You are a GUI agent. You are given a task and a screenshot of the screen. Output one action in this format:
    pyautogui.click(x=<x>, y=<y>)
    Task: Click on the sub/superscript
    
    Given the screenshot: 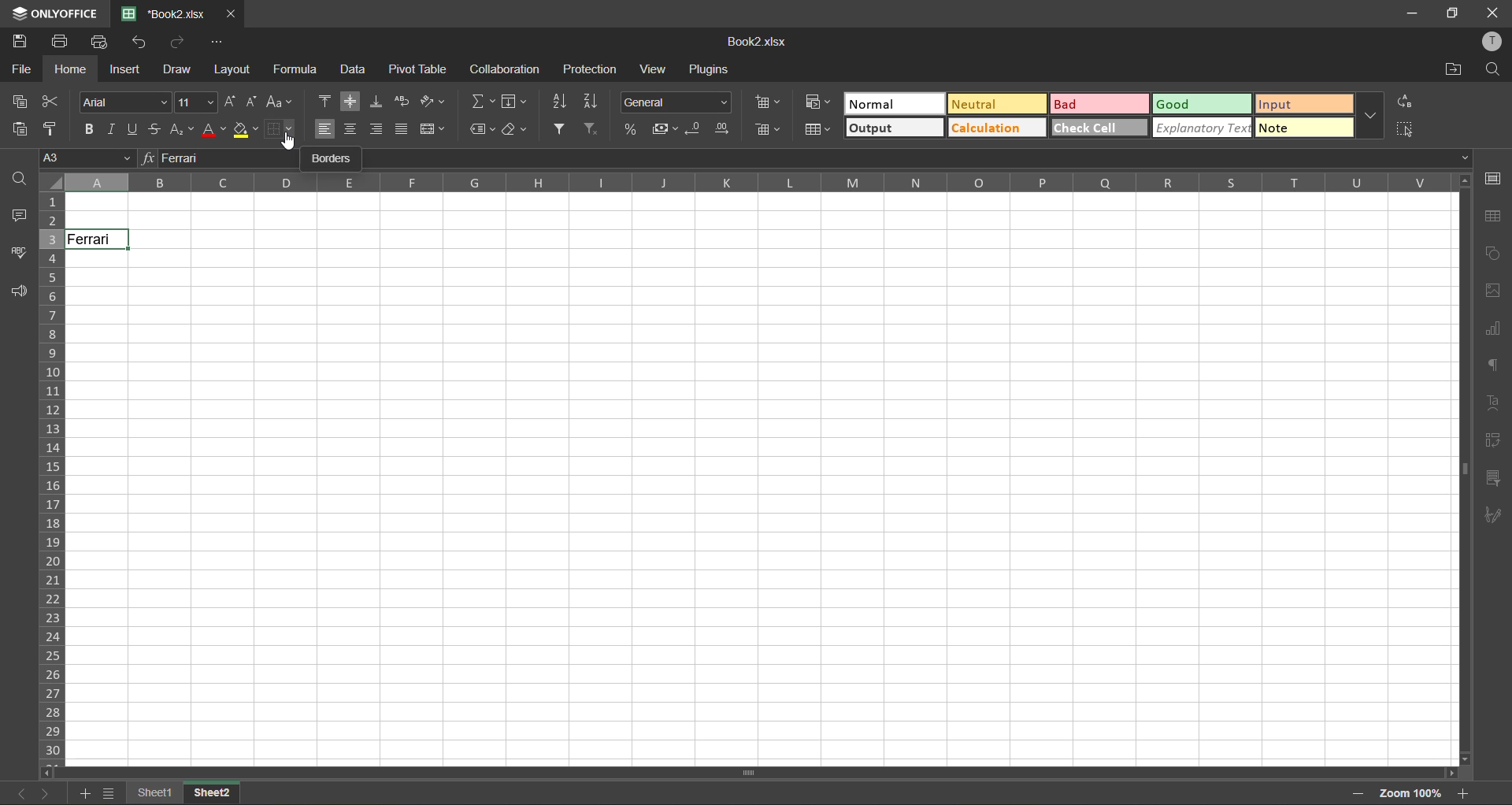 What is the action you would take?
    pyautogui.click(x=180, y=132)
    